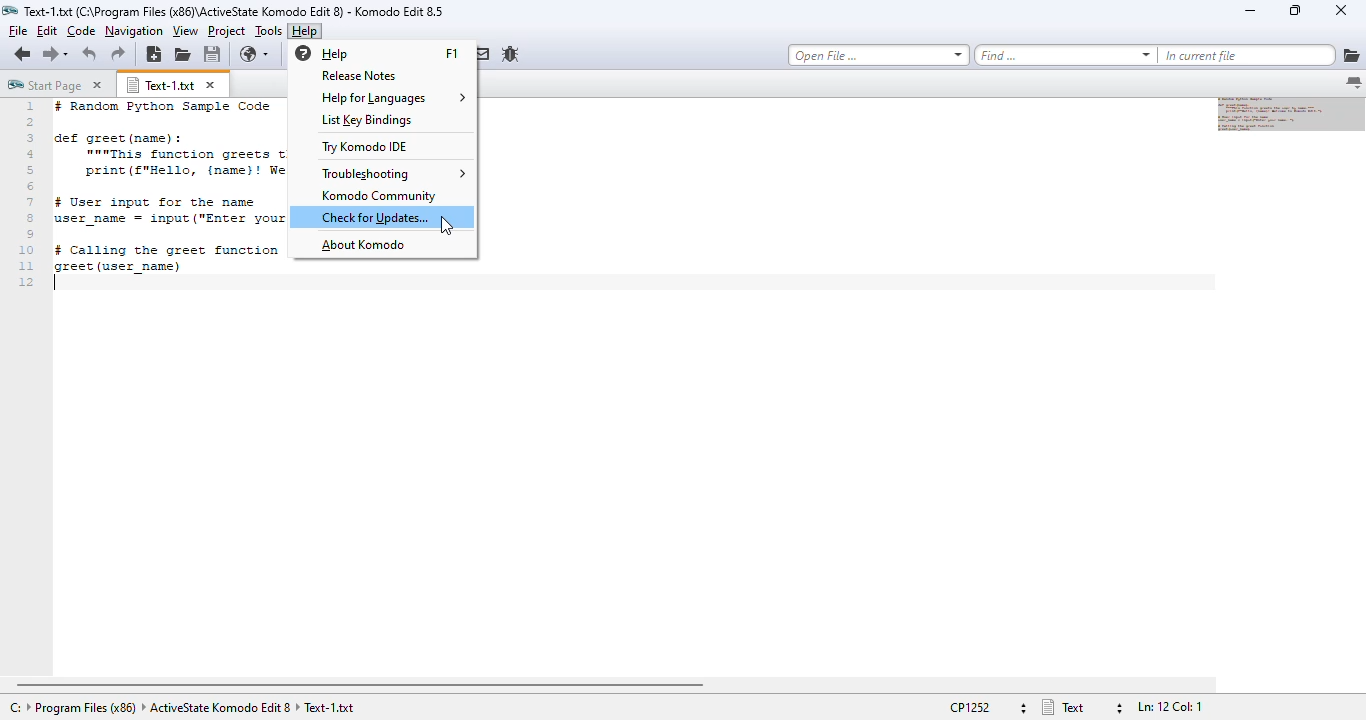 This screenshot has height=720, width=1366. I want to click on help, so click(321, 53).